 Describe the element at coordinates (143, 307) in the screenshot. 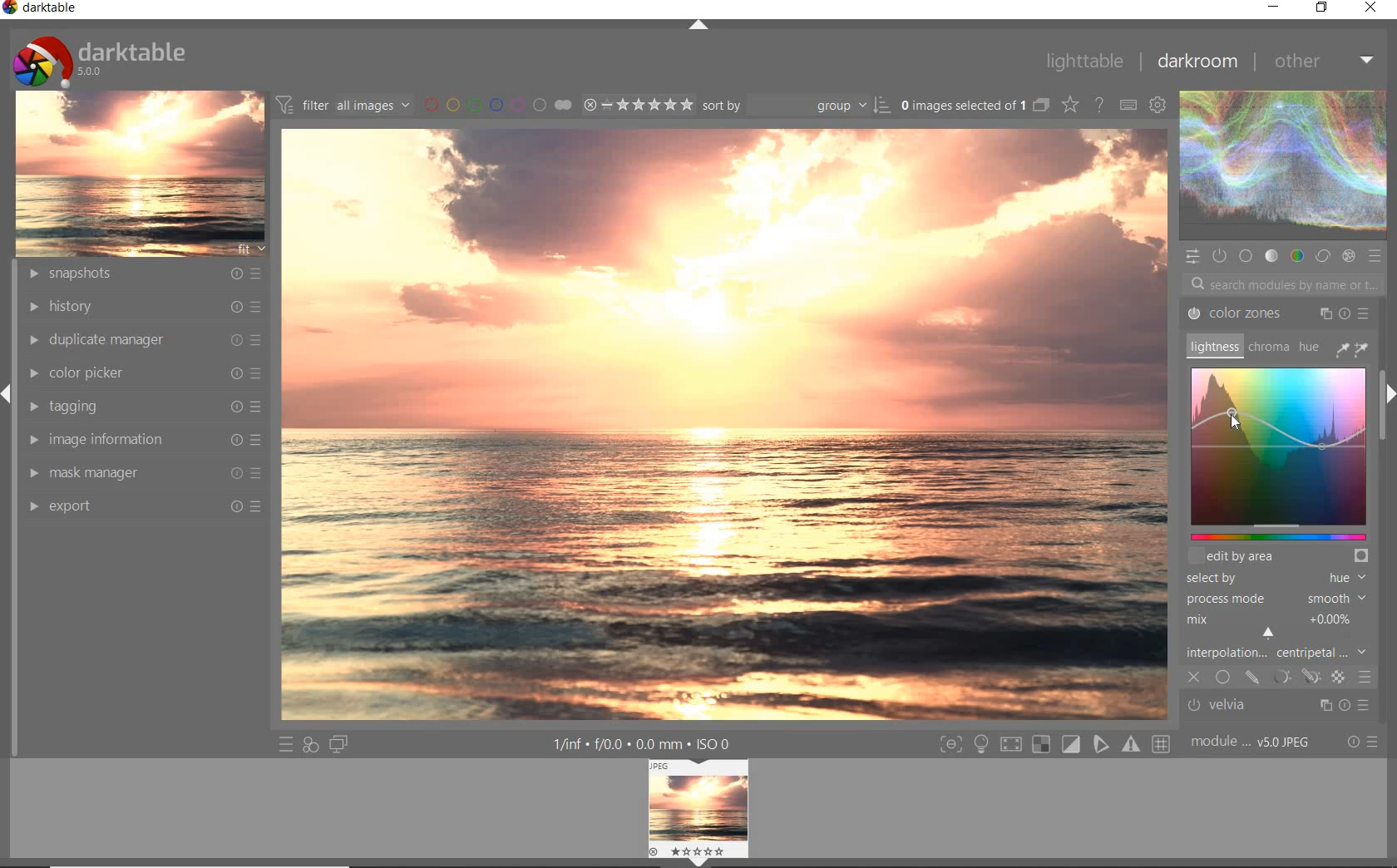

I see `HISTORY` at that location.